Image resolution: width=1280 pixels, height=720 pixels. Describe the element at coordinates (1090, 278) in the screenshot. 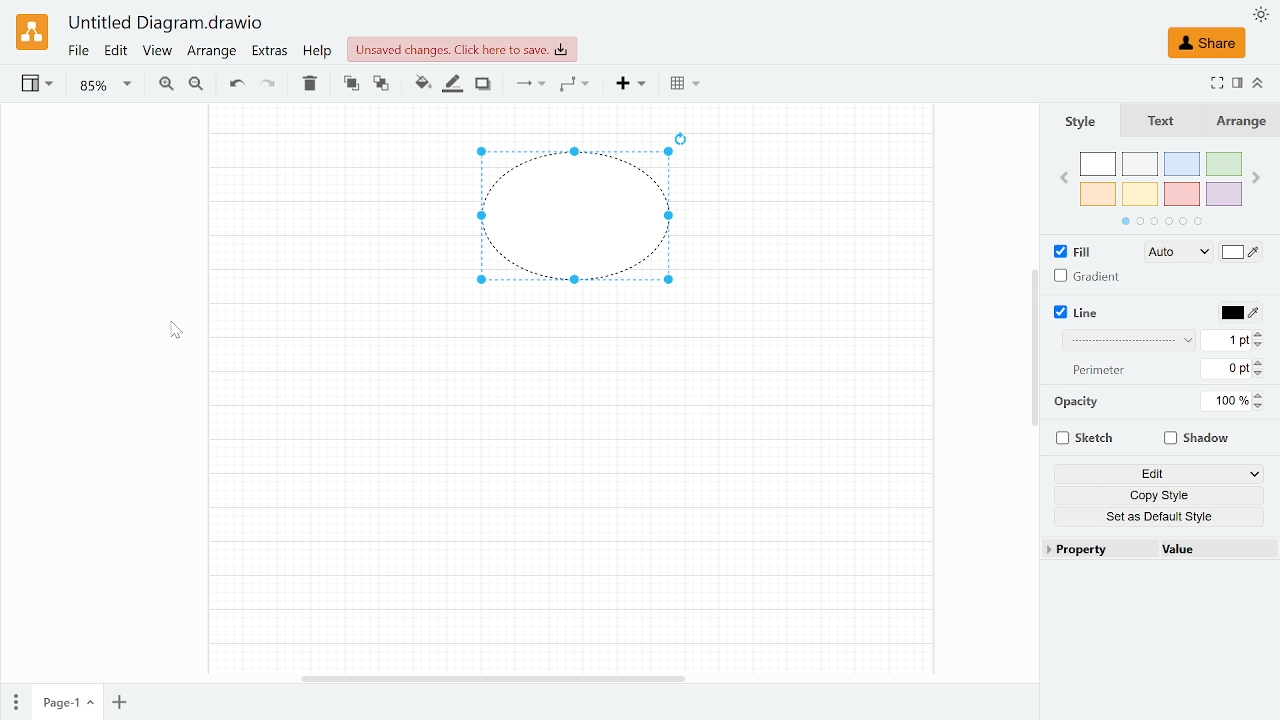

I see `Gradient` at that location.